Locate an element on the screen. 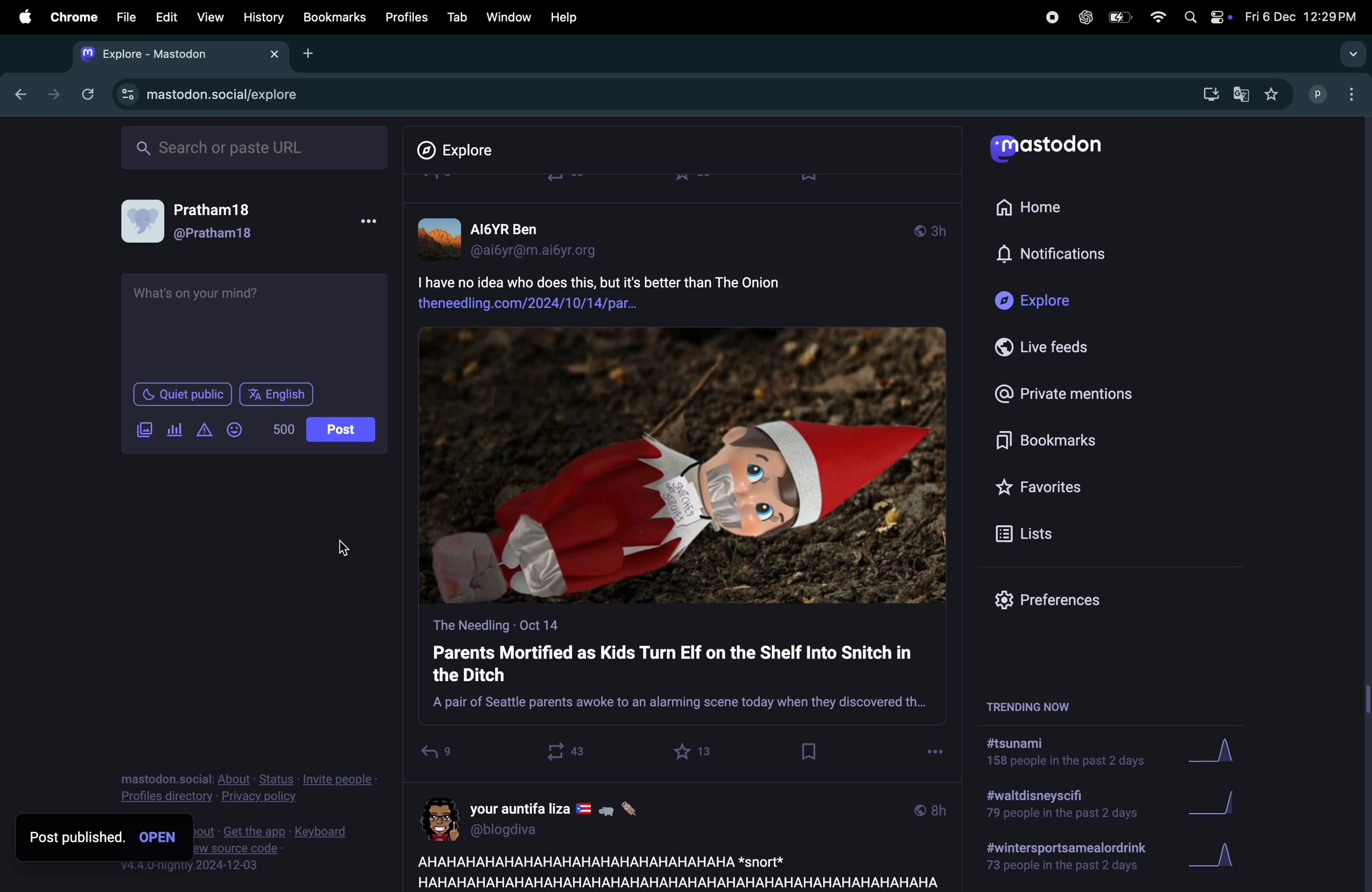 The image size is (1372, 892). post published is located at coordinates (77, 836).